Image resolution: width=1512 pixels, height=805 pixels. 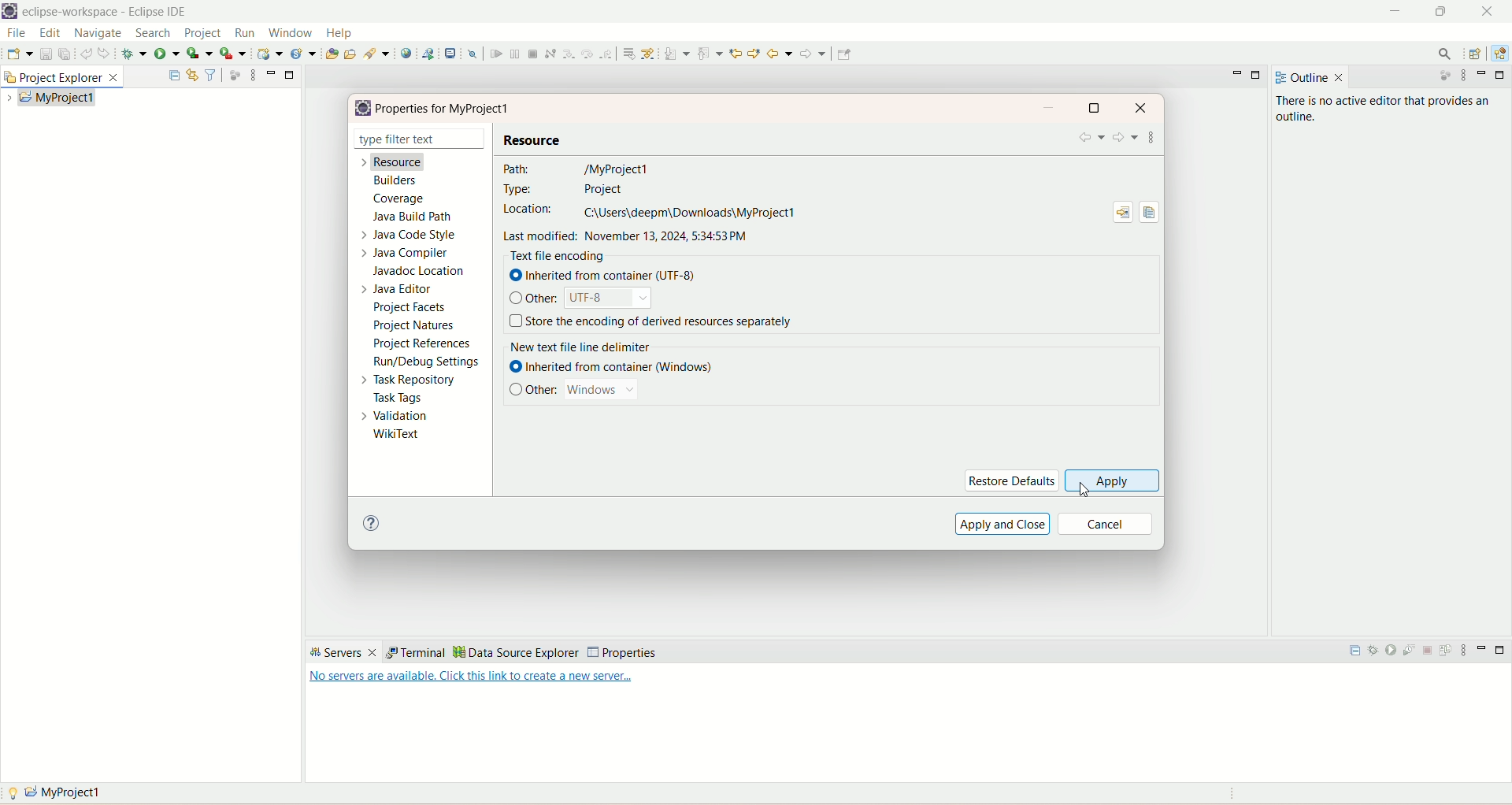 What do you see at coordinates (1488, 12) in the screenshot?
I see `close` at bounding box center [1488, 12].